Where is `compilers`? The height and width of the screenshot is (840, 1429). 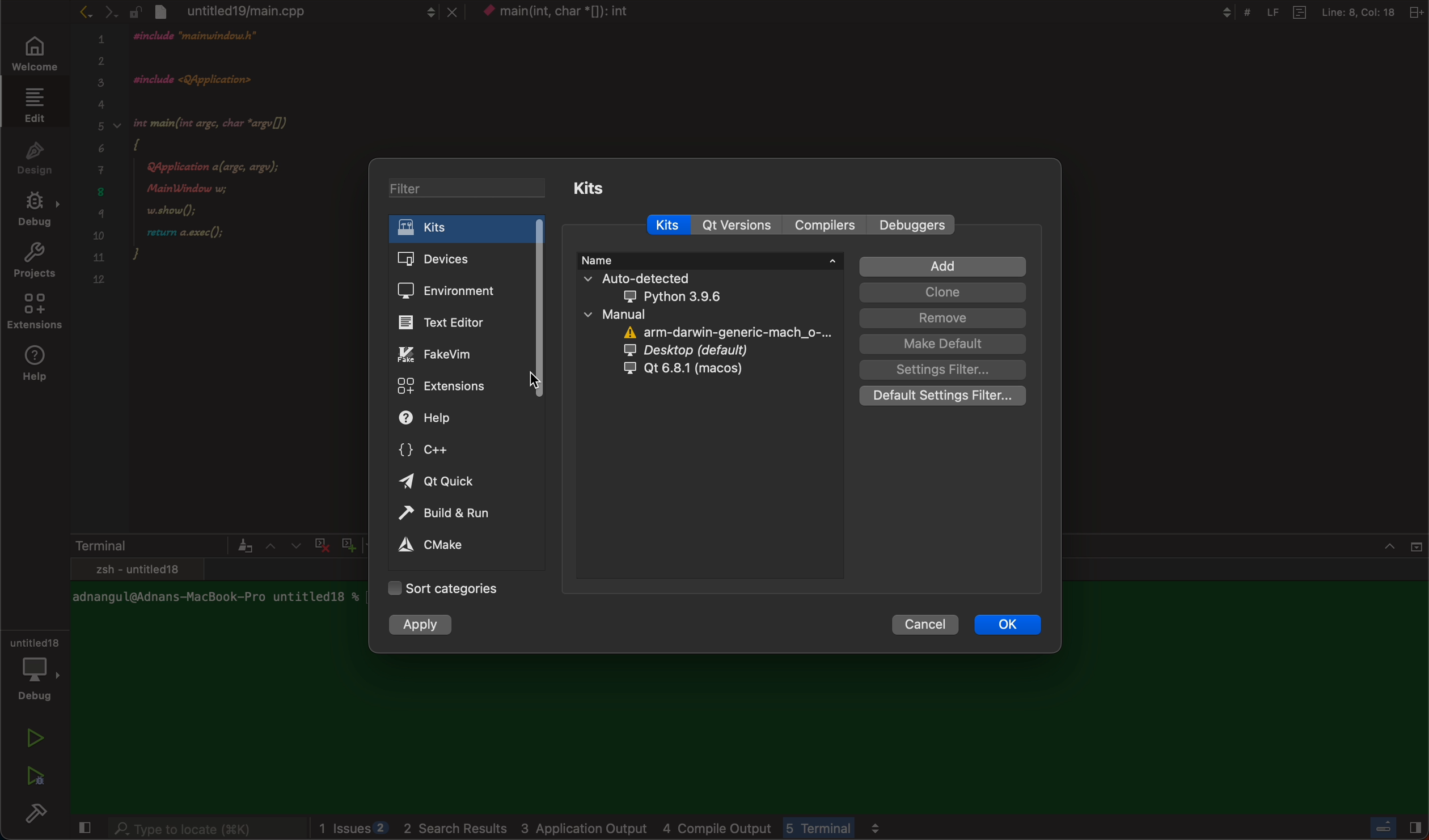 compilers is located at coordinates (824, 226).